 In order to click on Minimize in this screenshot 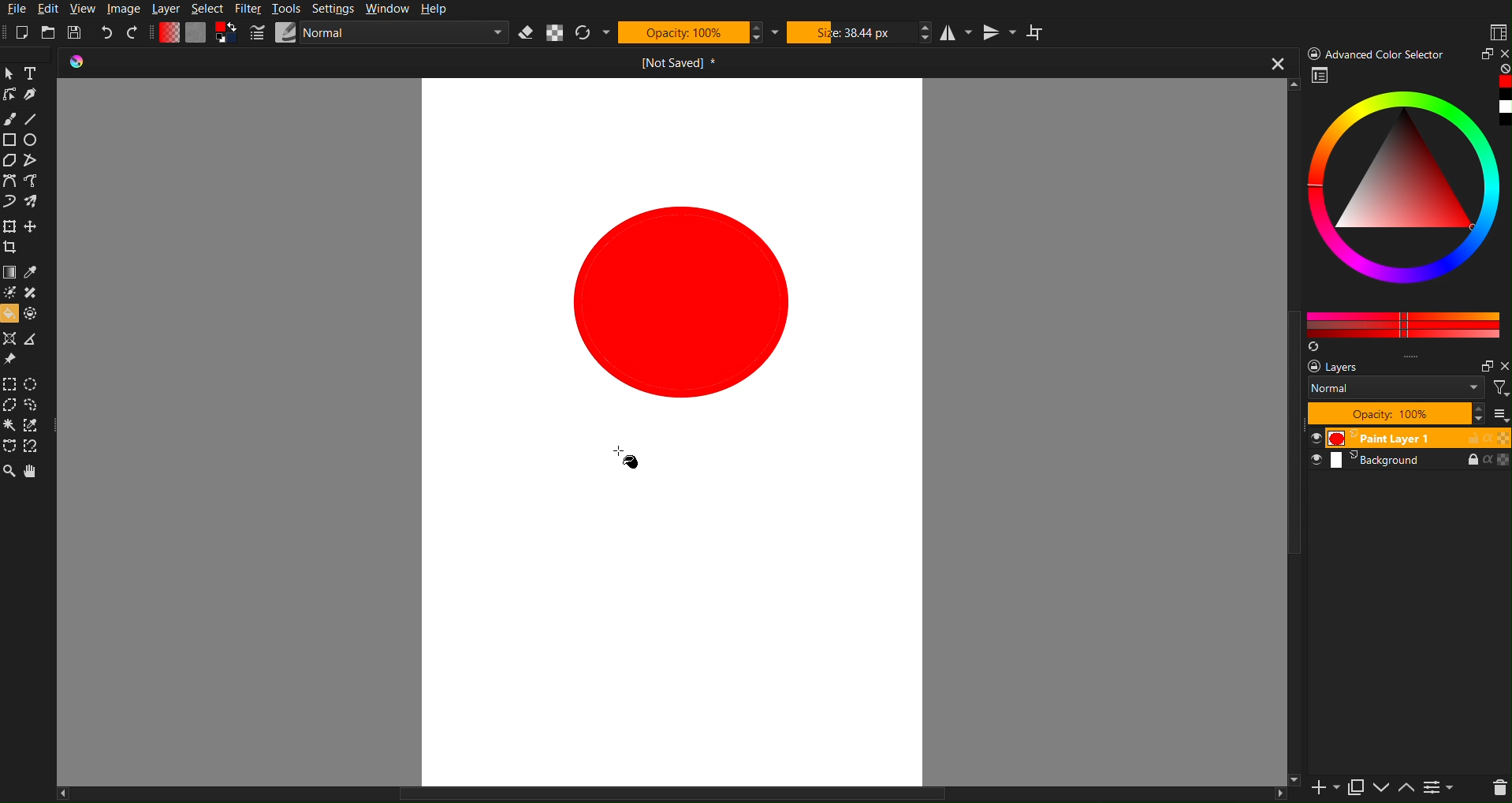, I will do `click(1480, 364)`.